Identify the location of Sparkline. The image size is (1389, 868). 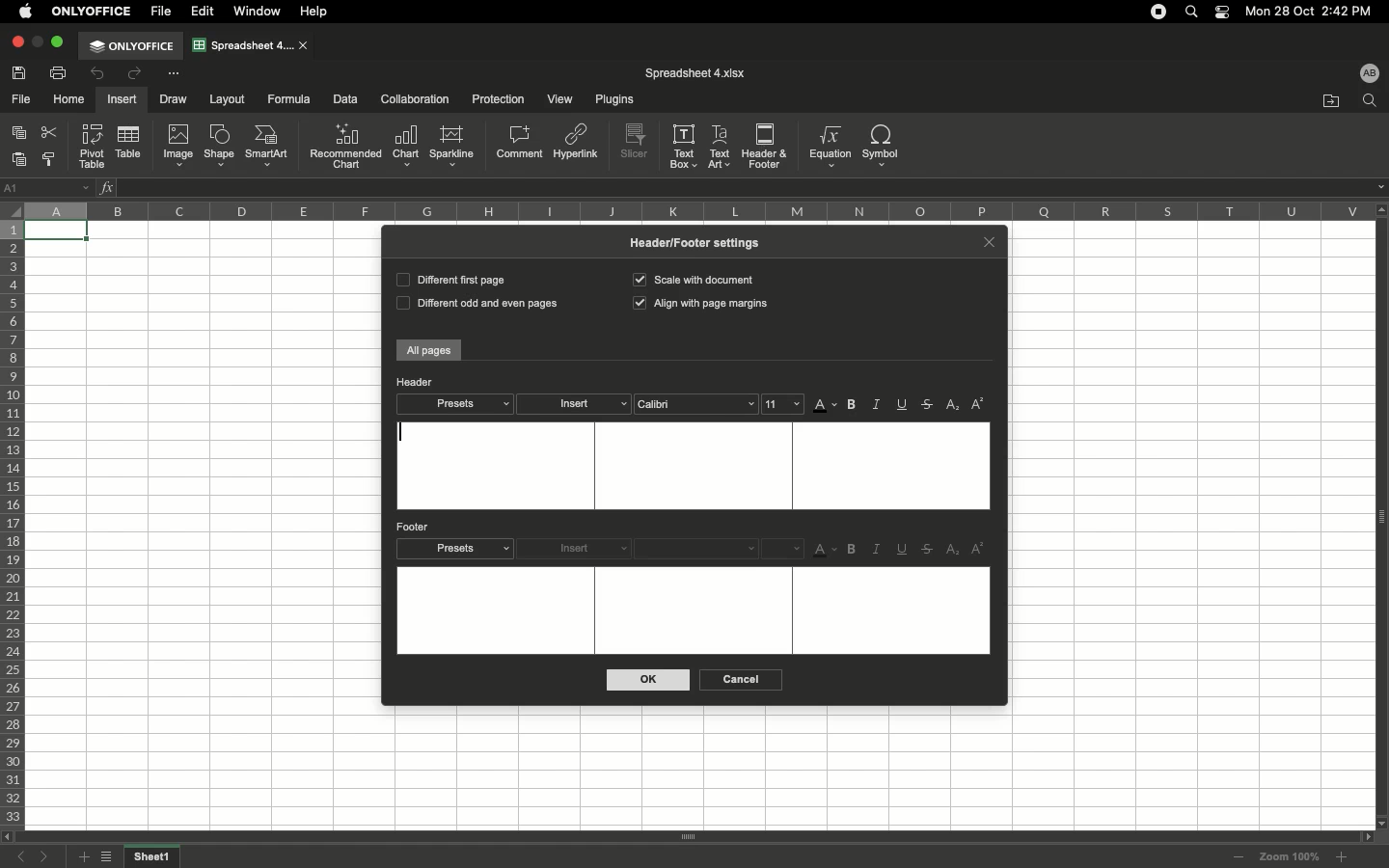
(451, 146).